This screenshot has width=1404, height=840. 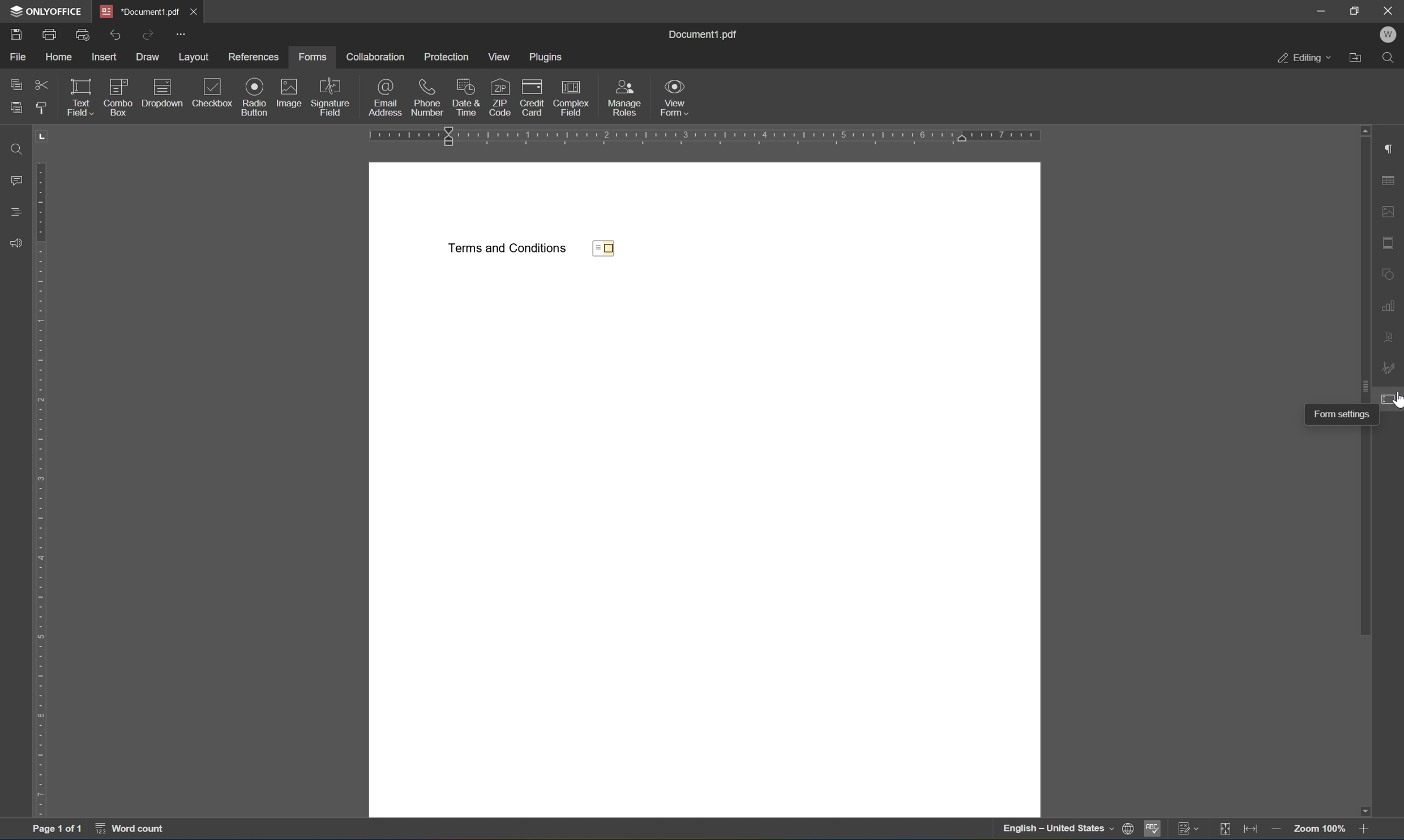 I want to click on combo box, so click(x=118, y=97).